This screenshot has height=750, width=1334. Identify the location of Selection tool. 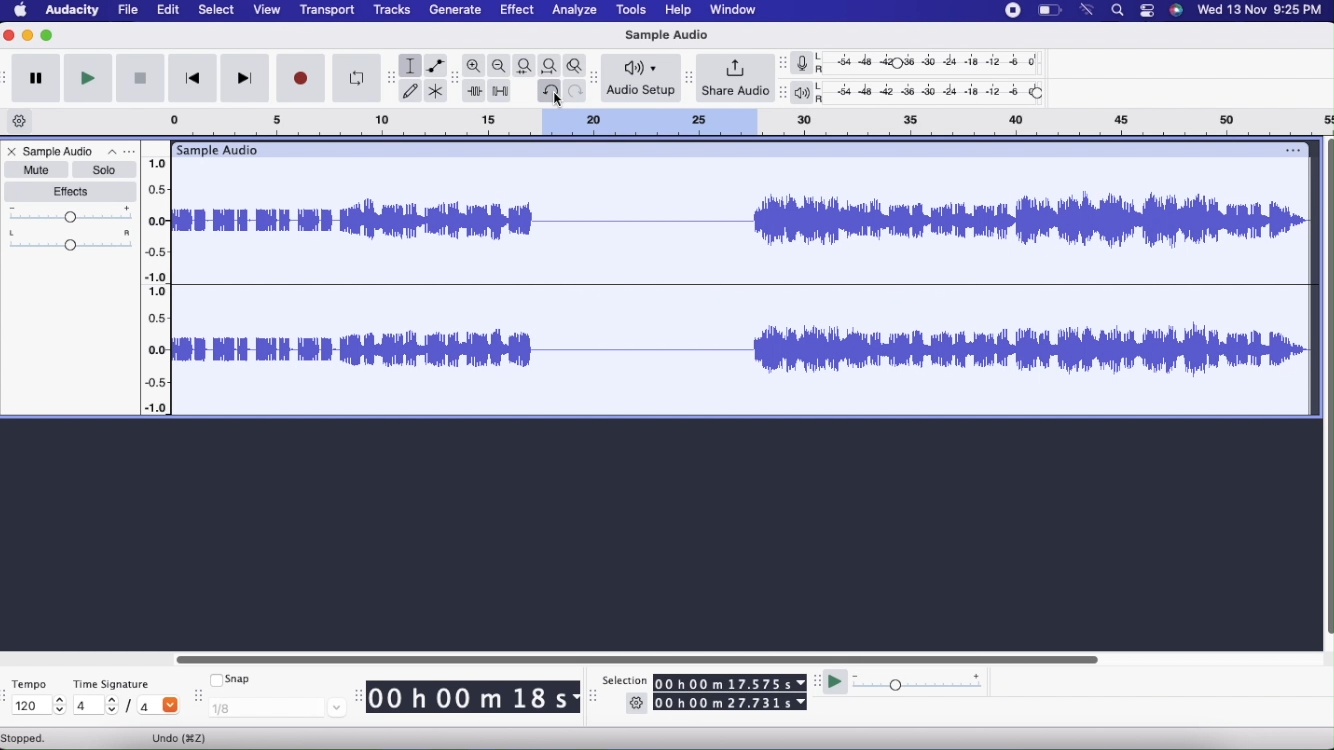
(410, 67).